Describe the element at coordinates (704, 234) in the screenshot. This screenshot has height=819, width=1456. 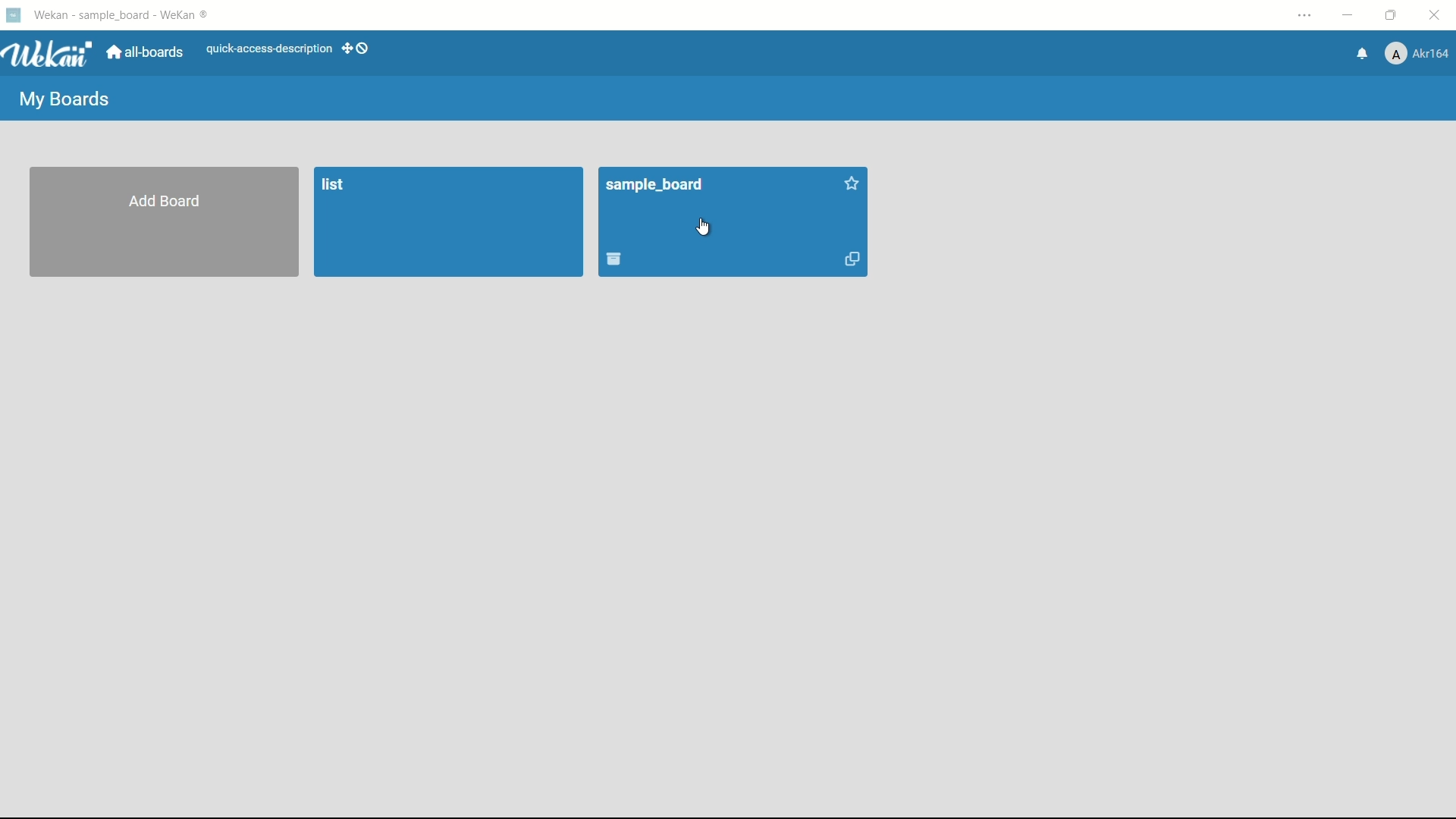
I see `cursor` at that location.